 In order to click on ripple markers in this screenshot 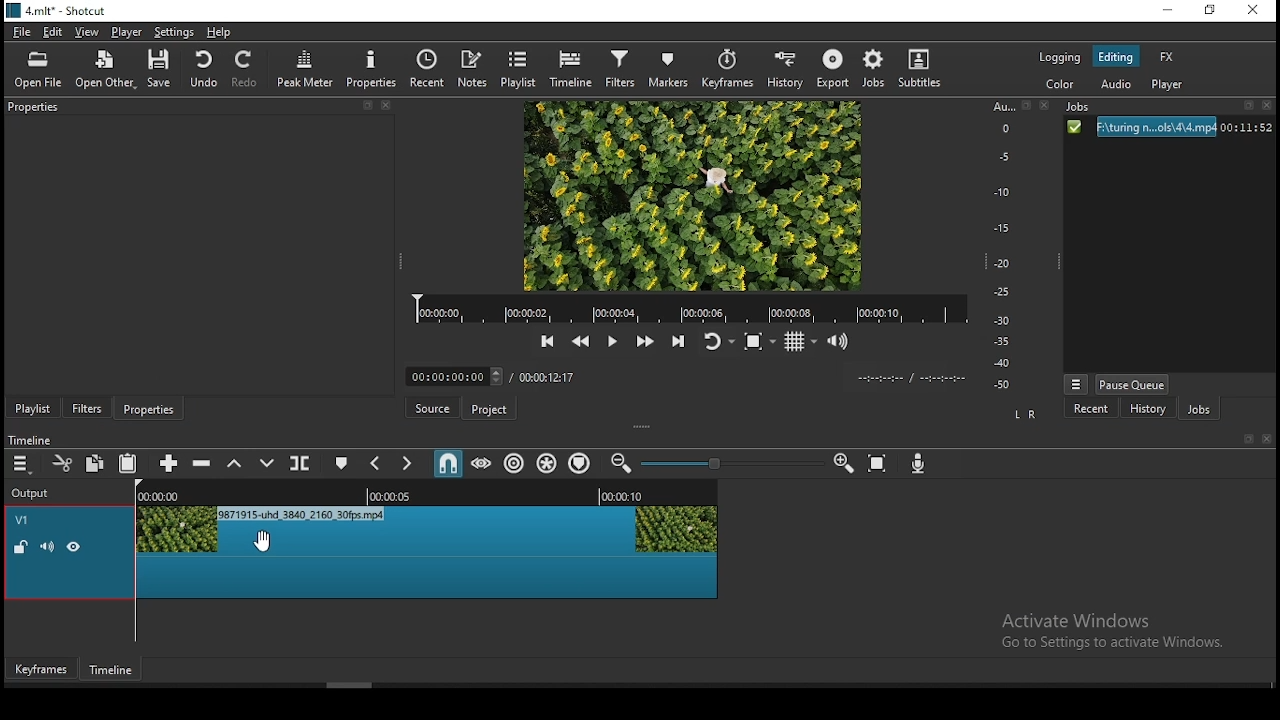, I will do `click(579, 462)`.